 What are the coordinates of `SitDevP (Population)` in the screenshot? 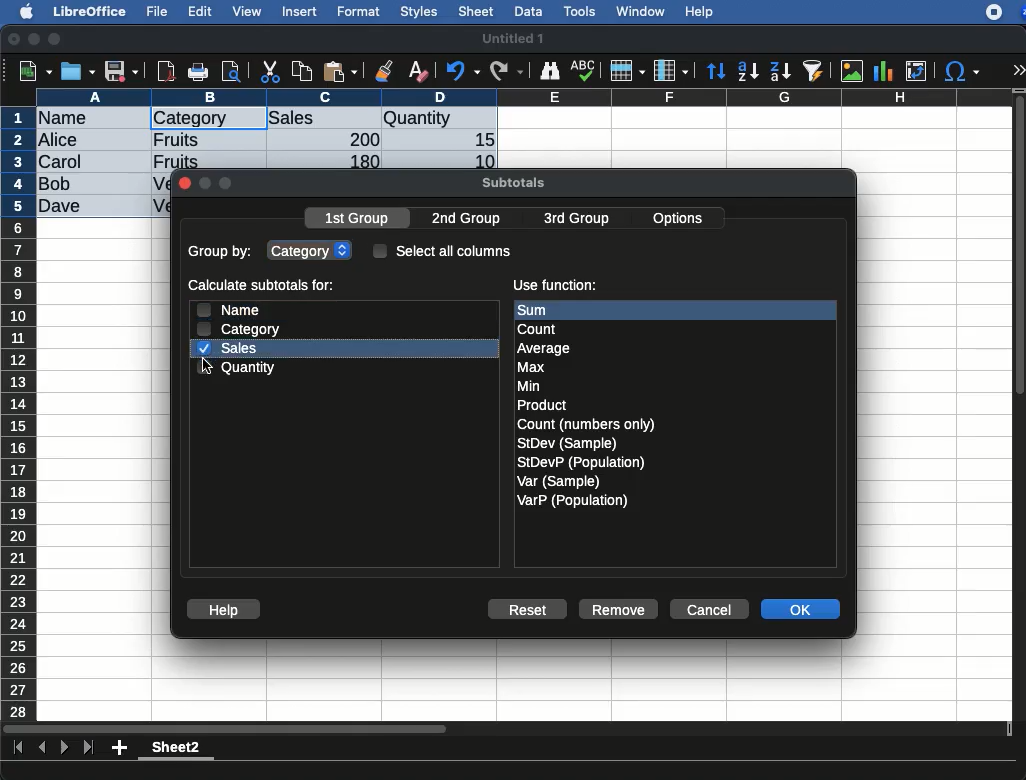 It's located at (582, 462).